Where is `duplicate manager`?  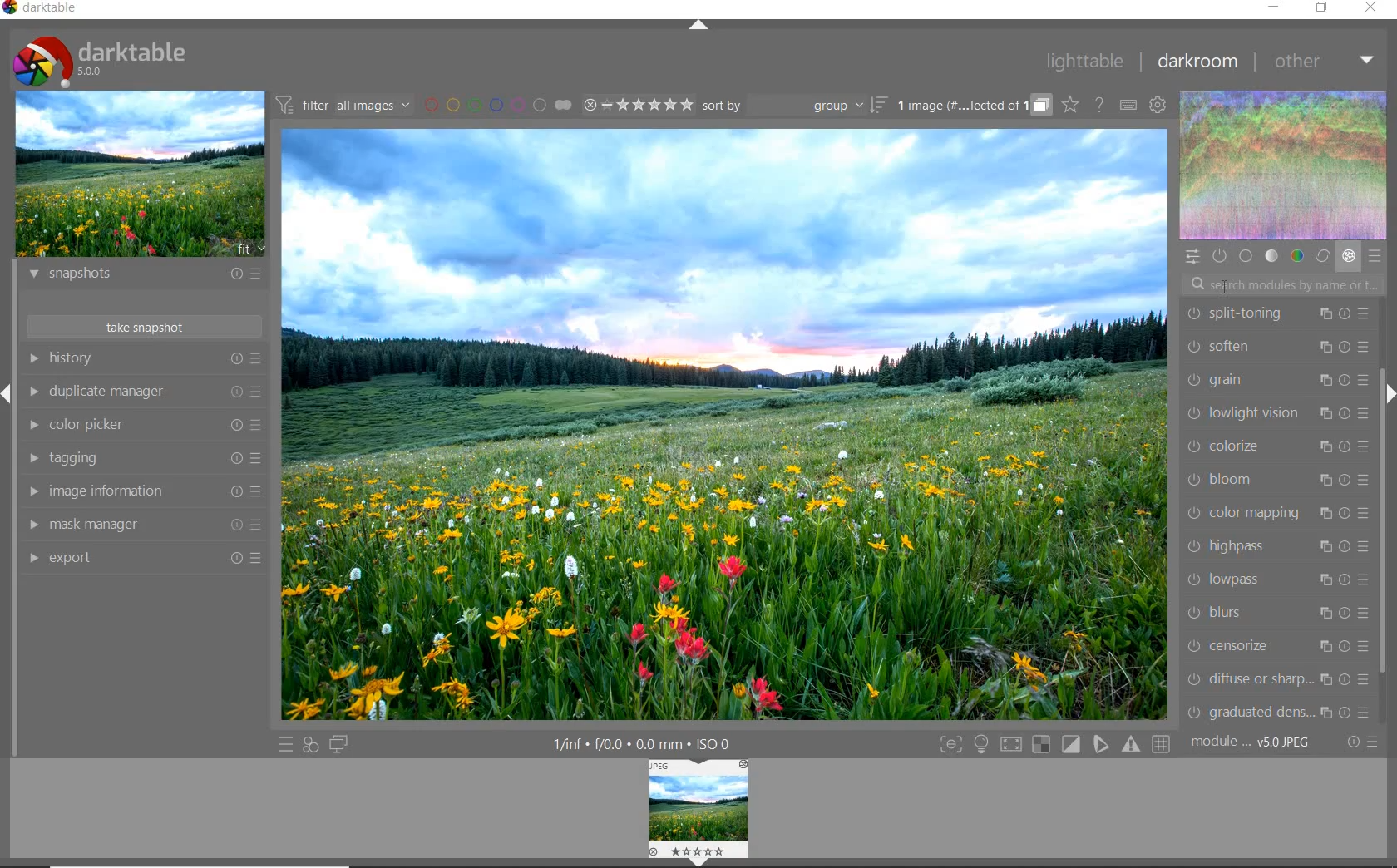
duplicate manager is located at coordinates (147, 393).